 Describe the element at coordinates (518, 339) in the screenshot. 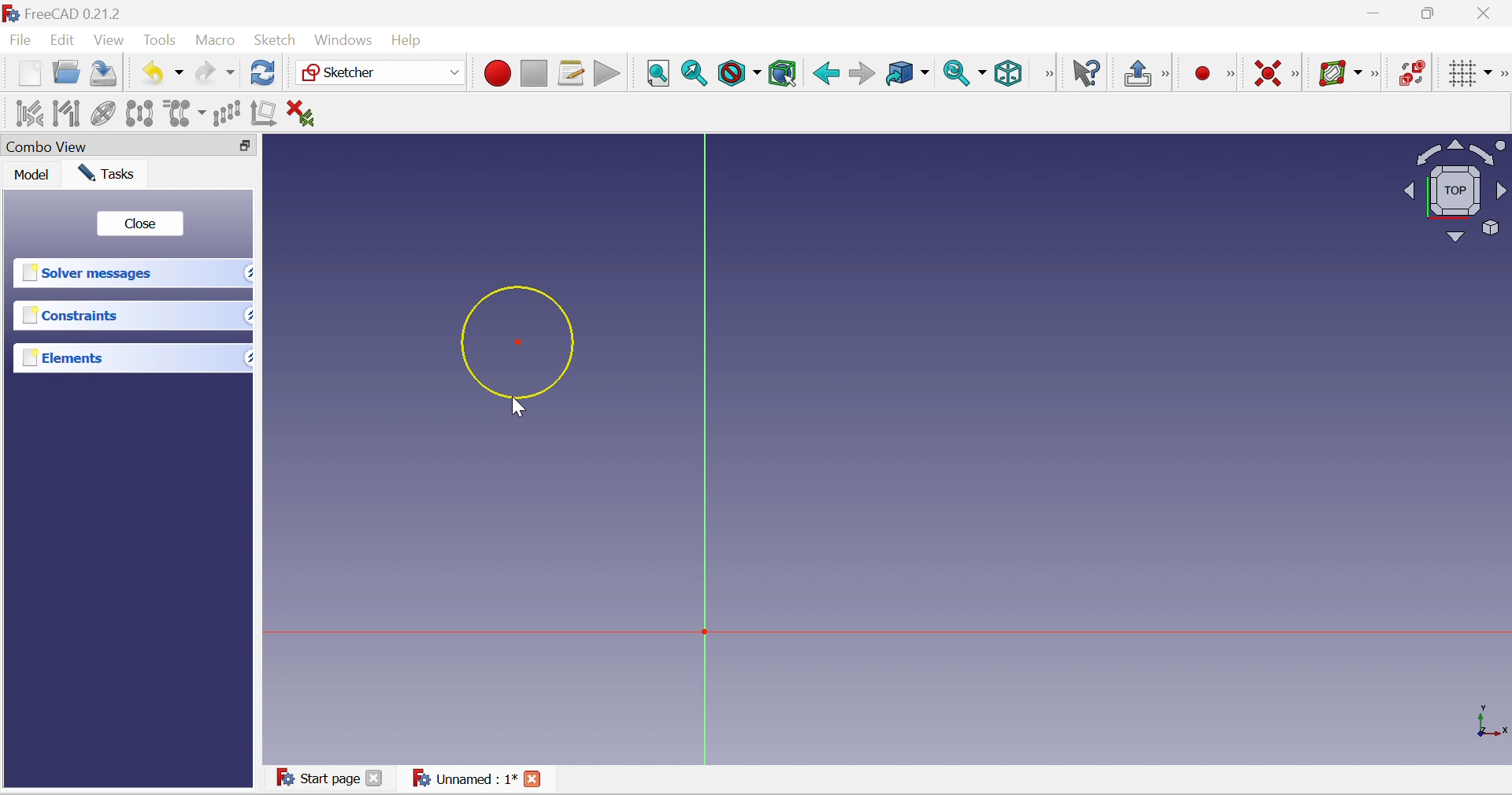

I see `Circle` at that location.